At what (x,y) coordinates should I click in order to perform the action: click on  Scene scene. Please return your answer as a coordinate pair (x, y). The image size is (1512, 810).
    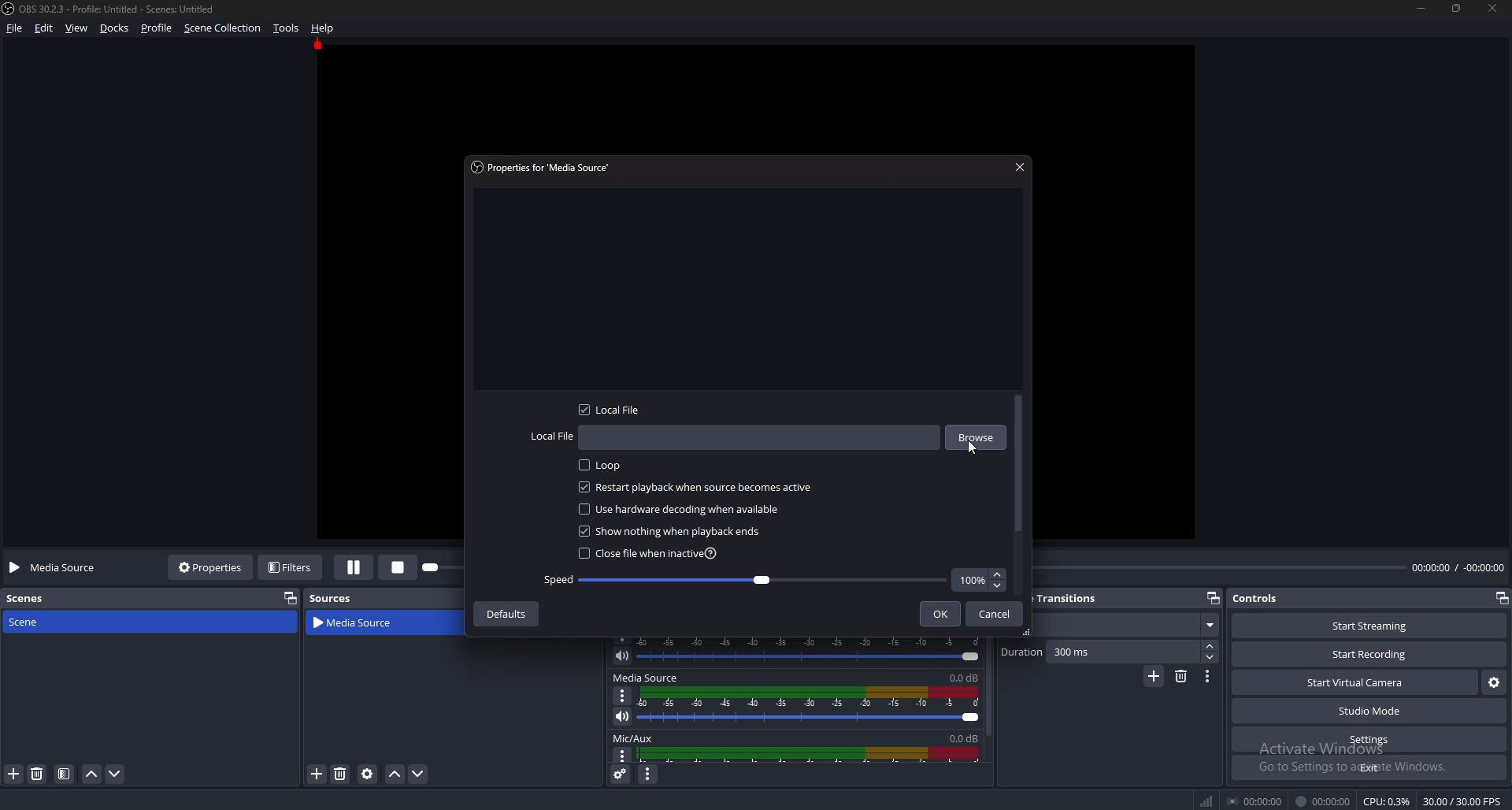
    Looking at the image, I should click on (35, 620).